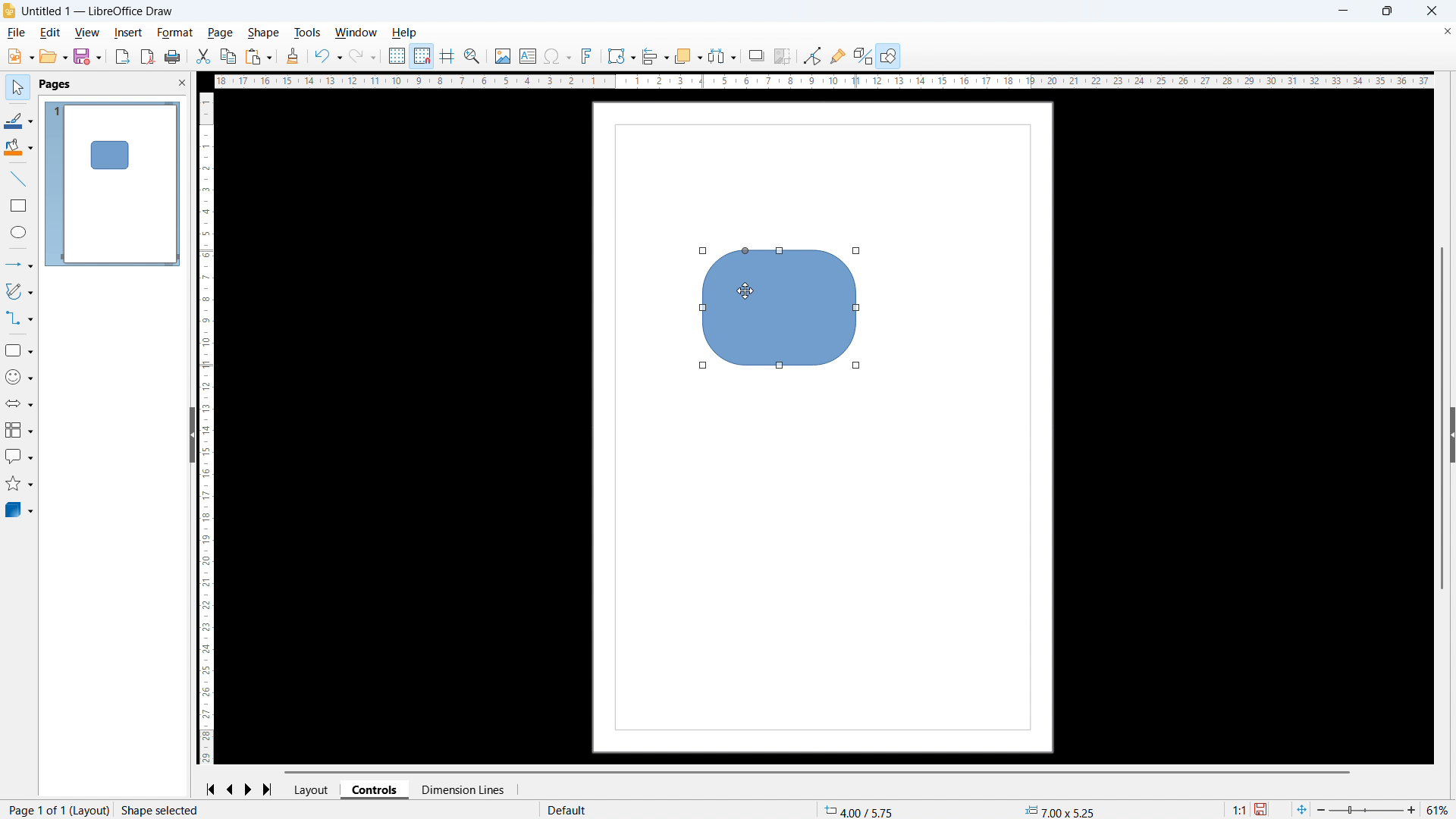 Image resolution: width=1456 pixels, height=819 pixels. I want to click on Insert font work text , so click(587, 55).